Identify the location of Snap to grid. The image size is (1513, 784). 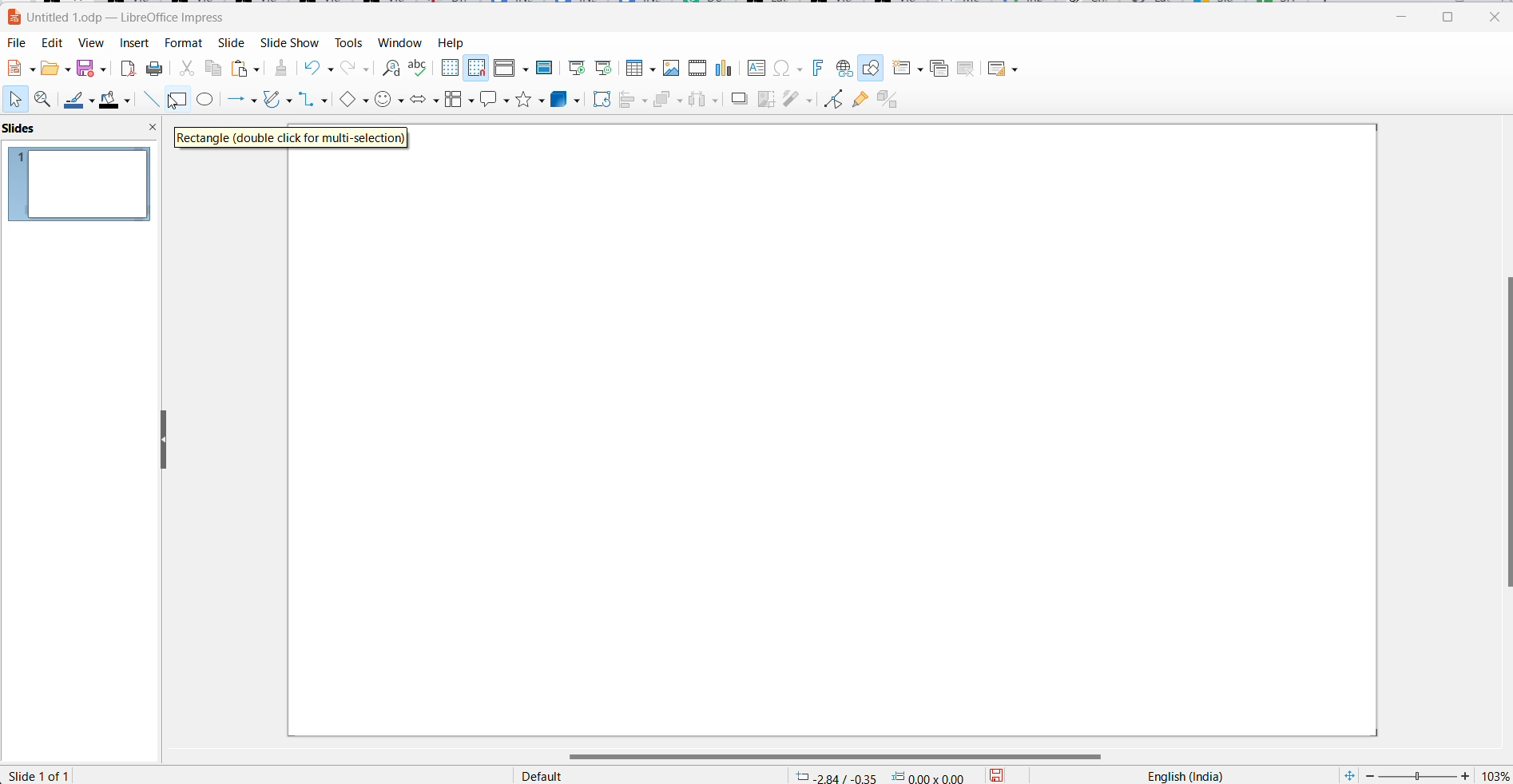
(477, 68).